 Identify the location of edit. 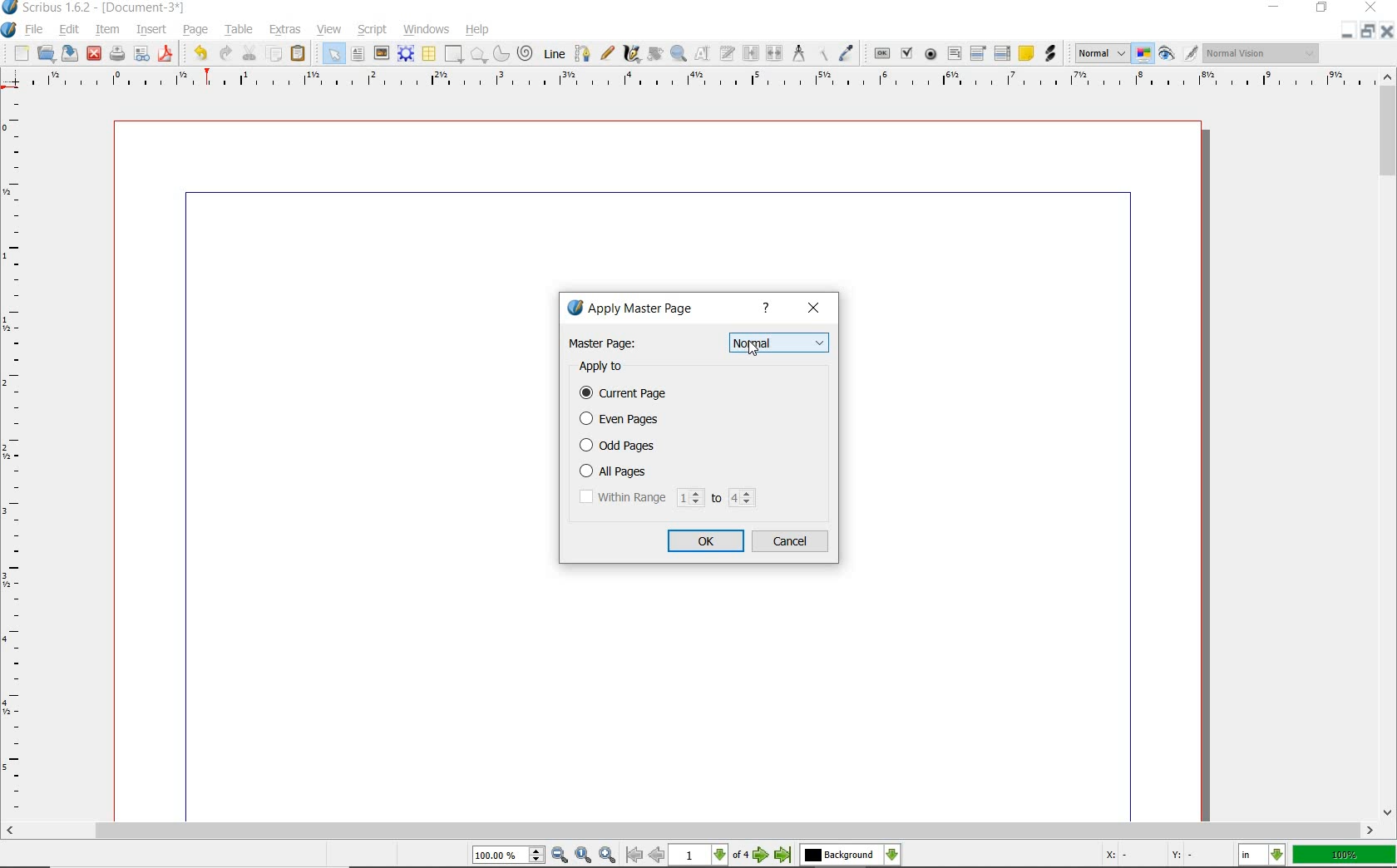
(67, 28).